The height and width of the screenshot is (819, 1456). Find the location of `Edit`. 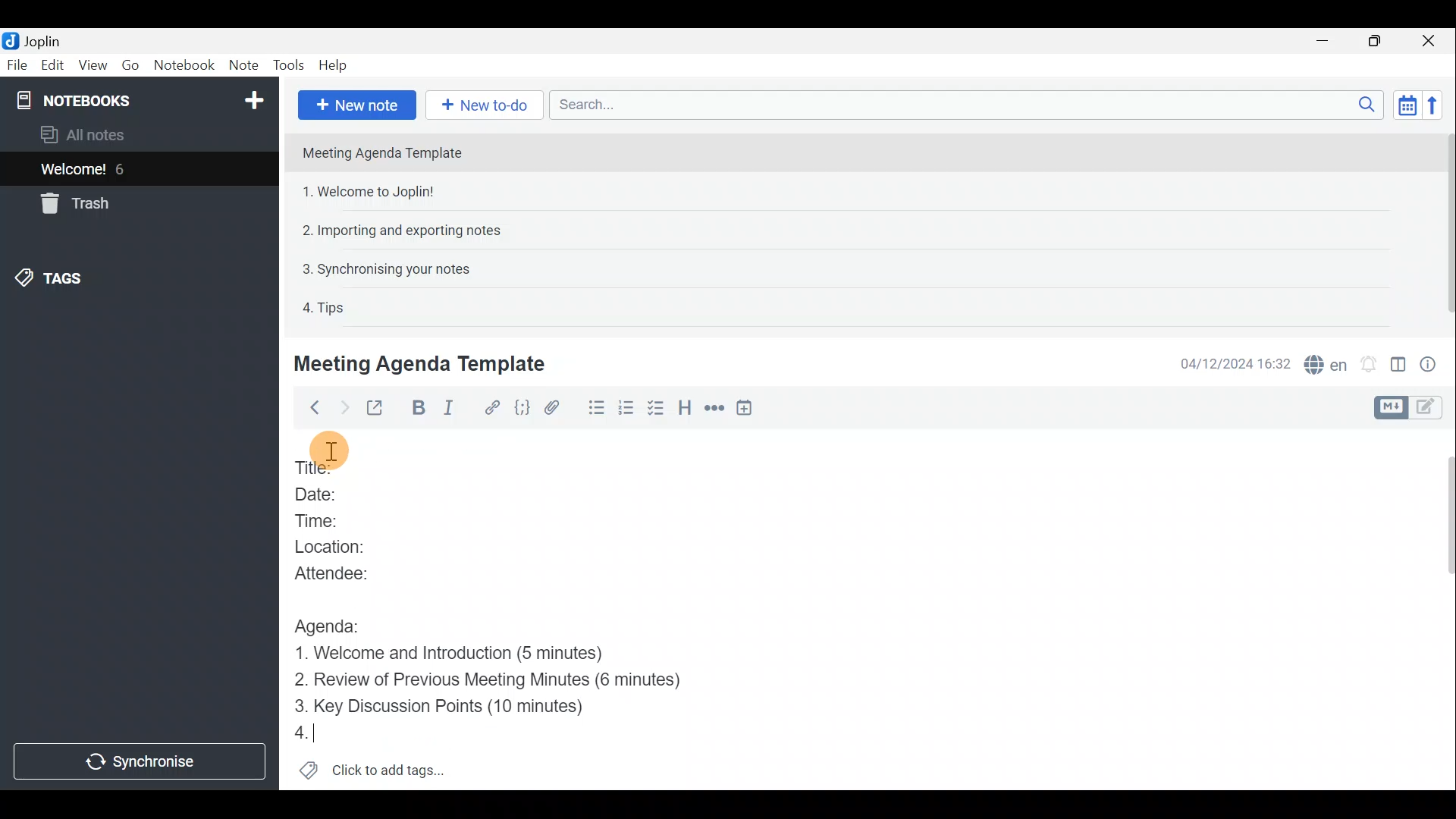

Edit is located at coordinates (53, 67).